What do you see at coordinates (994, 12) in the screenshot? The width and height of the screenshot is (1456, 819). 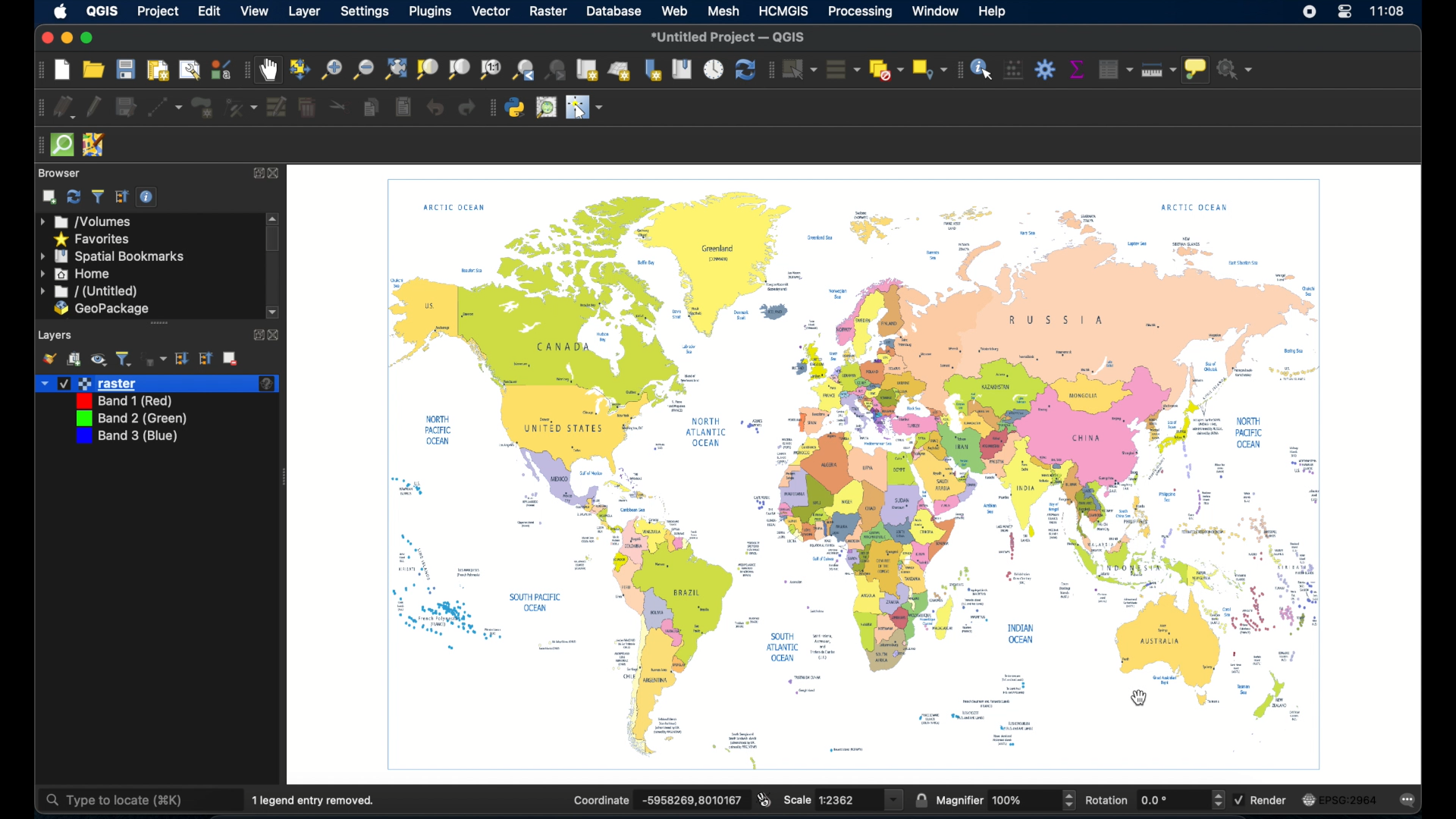 I see `help` at bounding box center [994, 12].